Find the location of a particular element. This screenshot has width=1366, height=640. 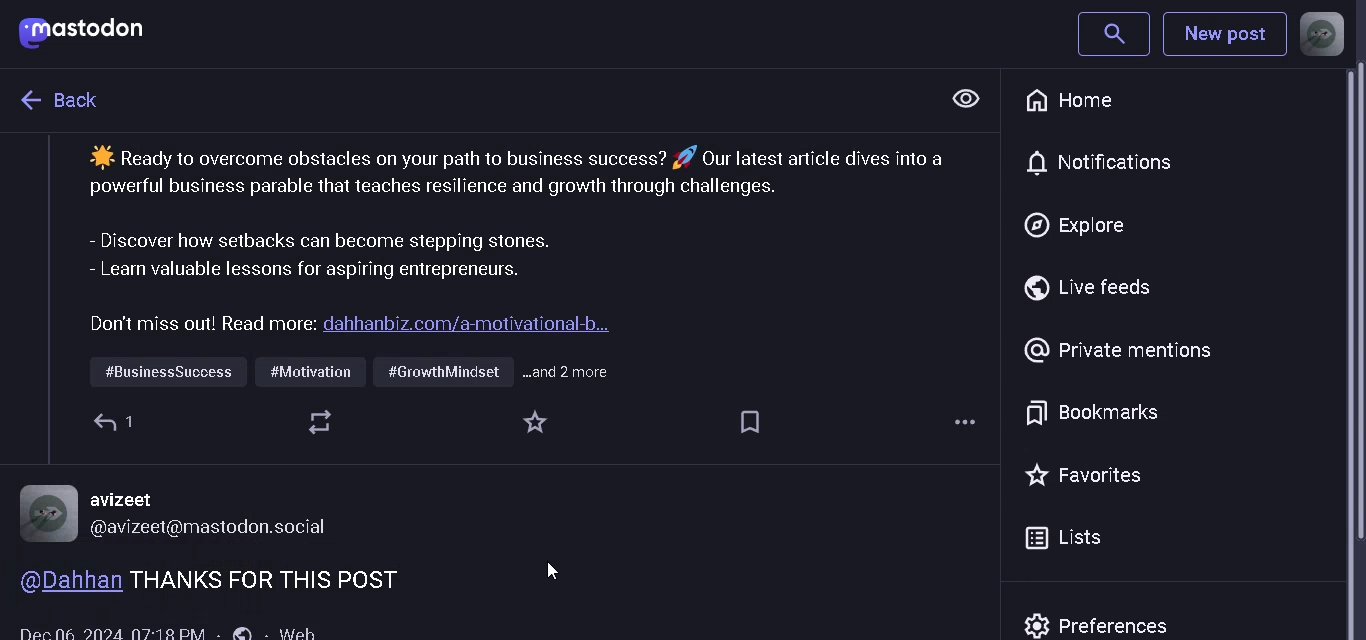

logo is located at coordinates (90, 31).